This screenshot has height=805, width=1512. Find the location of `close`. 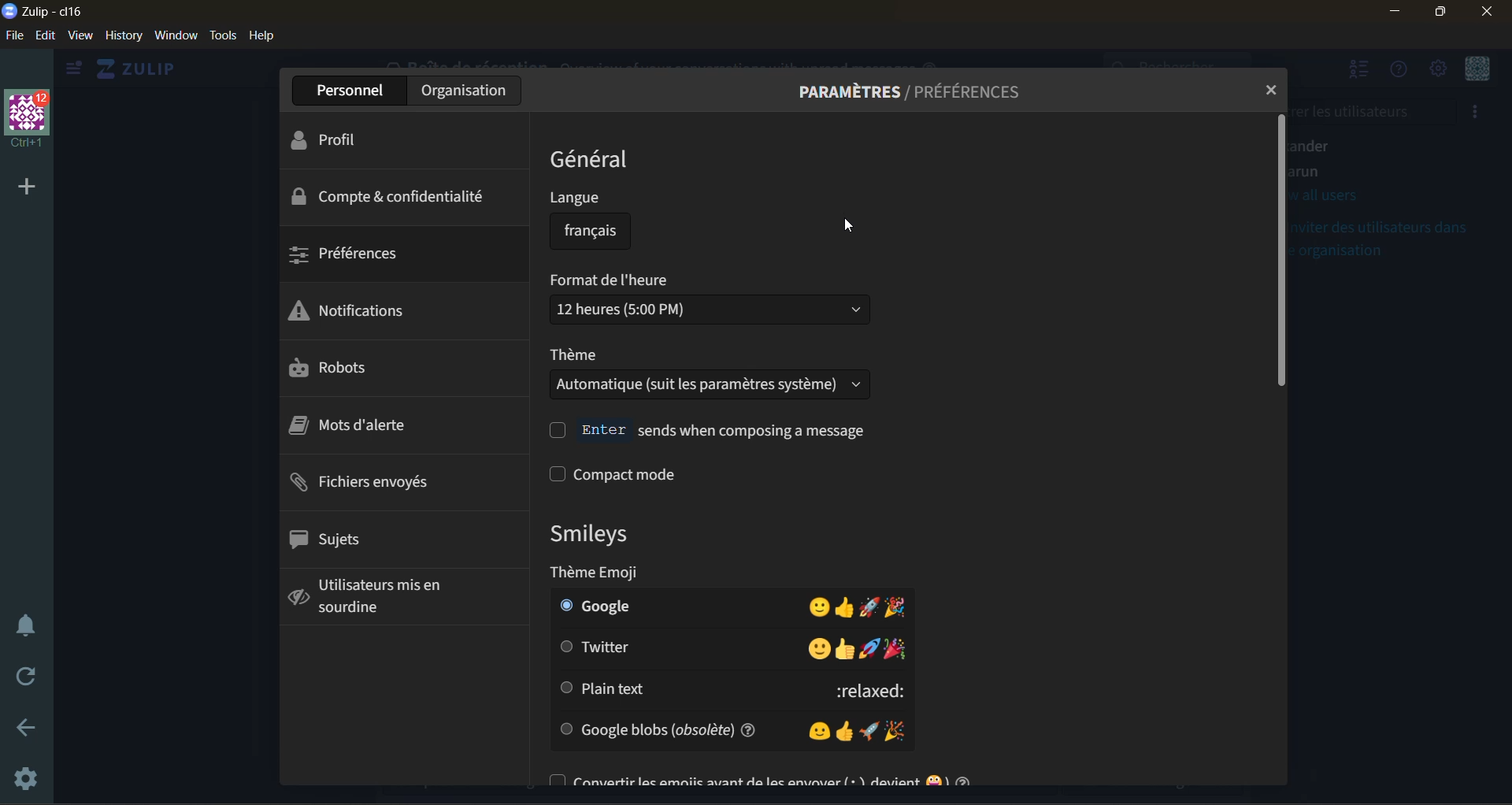

close is located at coordinates (1266, 90).